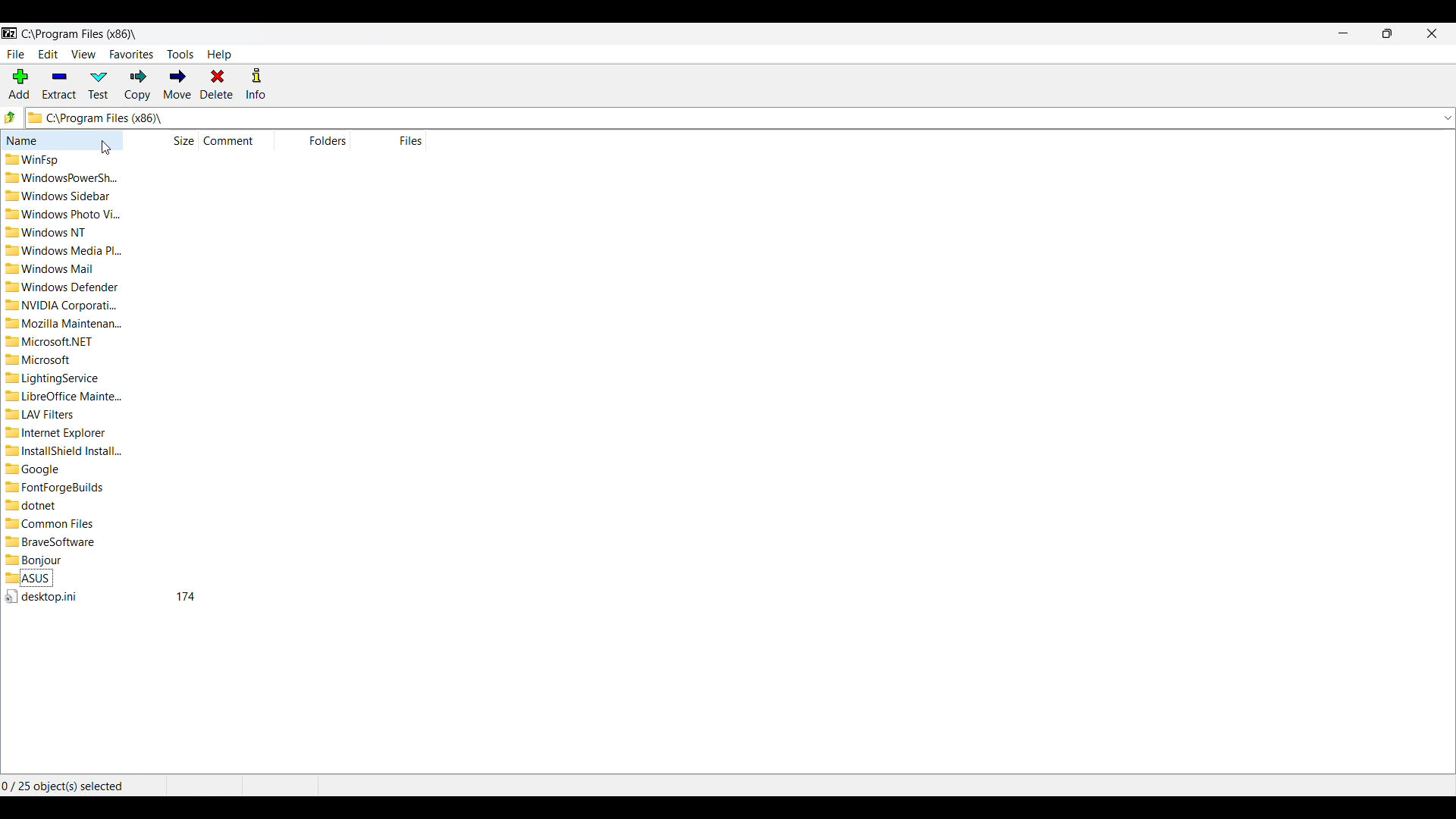 This screenshot has width=1456, height=819. What do you see at coordinates (56, 522) in the screenshot?
I see `Common Files` at bounding box center [56, 522].